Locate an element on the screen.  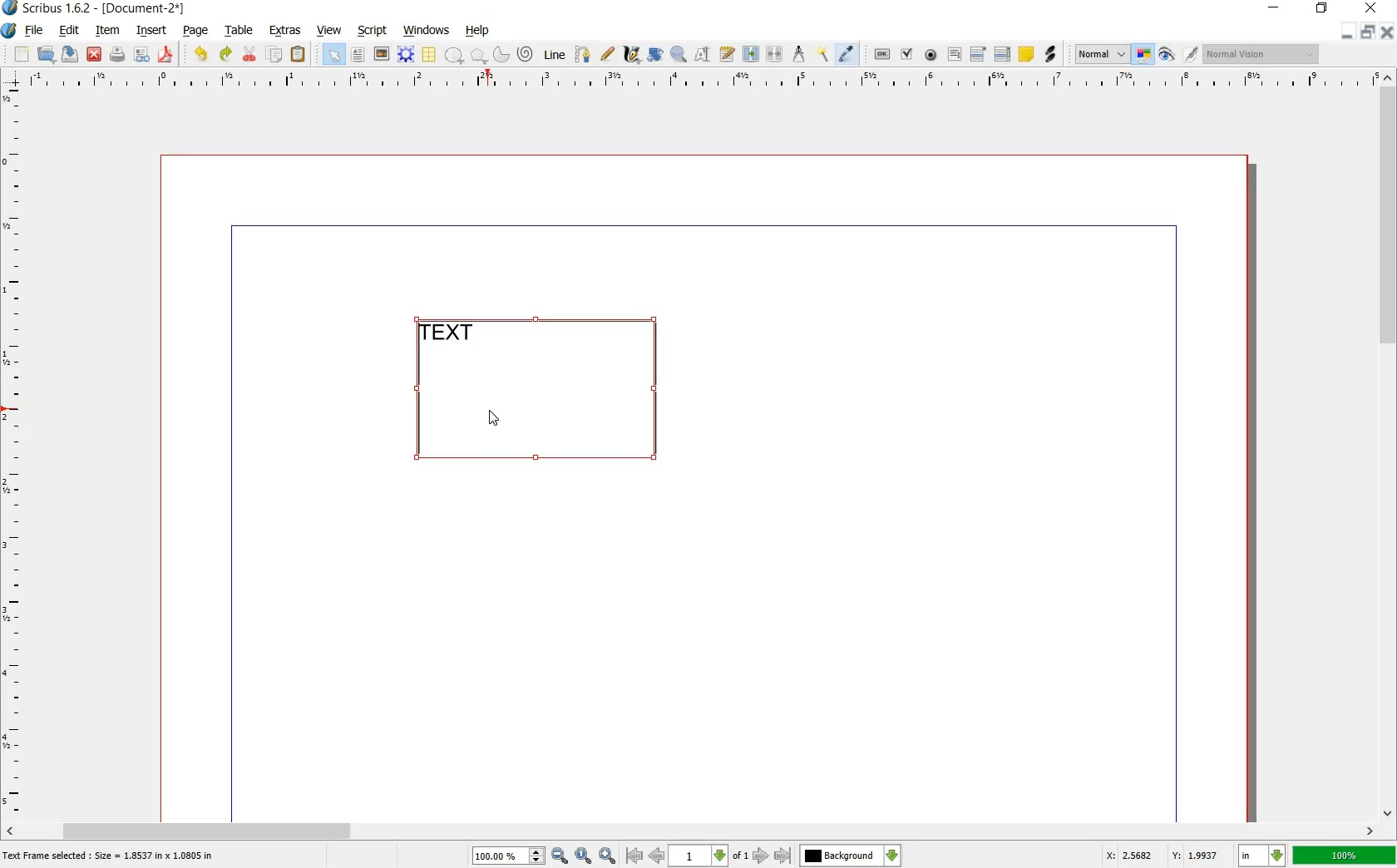
eye dropper is located at coordinates (847, 55).